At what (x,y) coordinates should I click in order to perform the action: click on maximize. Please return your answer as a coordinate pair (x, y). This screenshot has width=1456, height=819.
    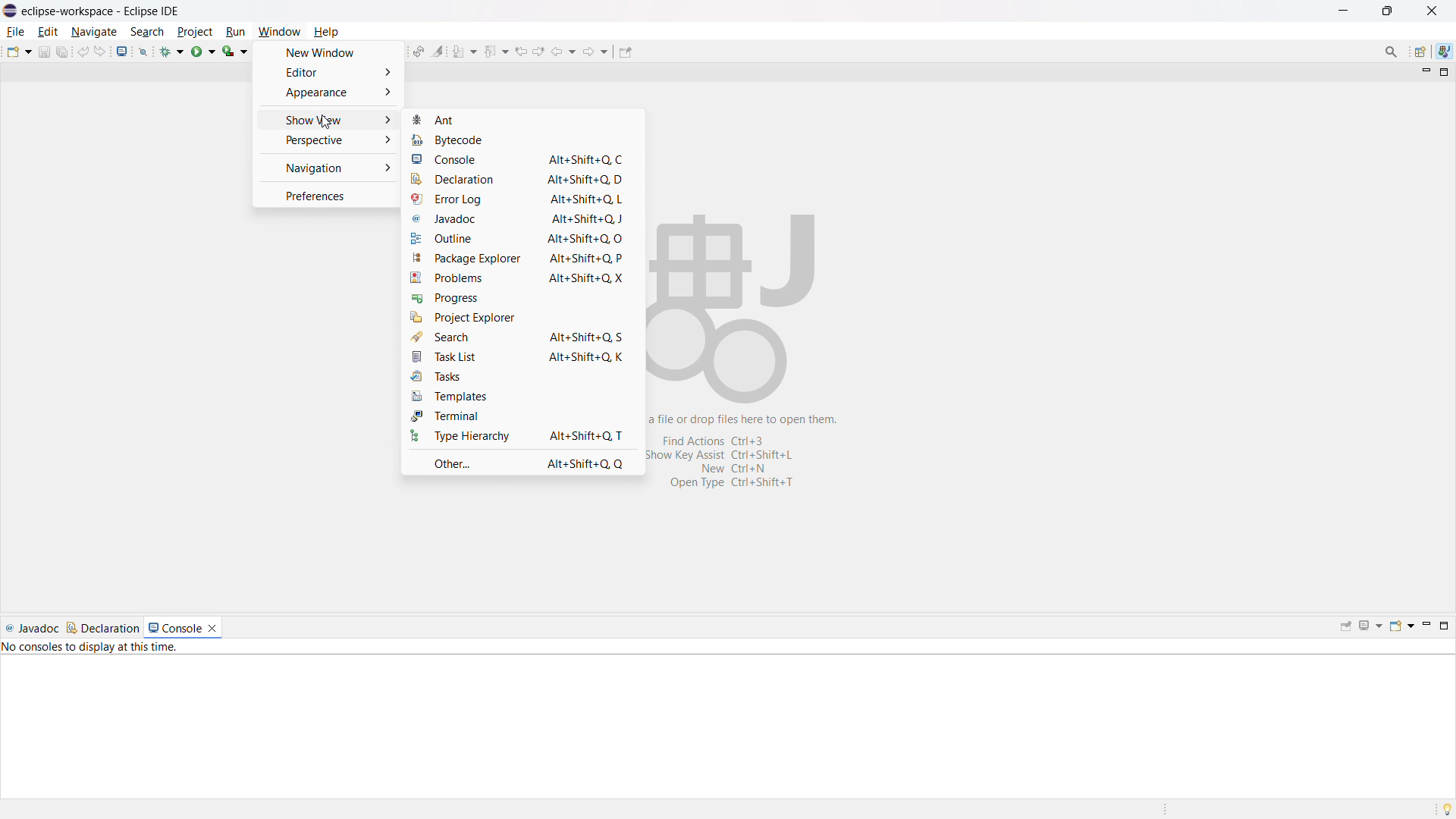
    Looking at the image, I should click on (1445, 626).